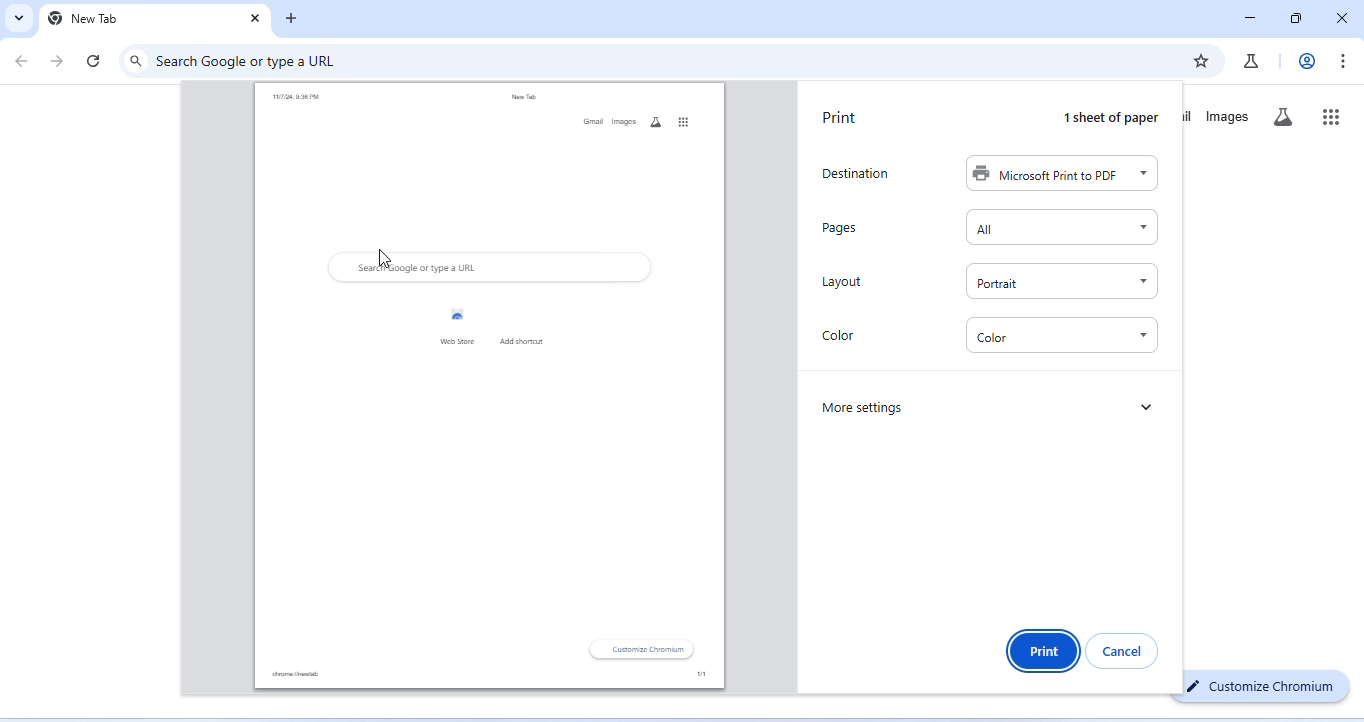 The height and width of the screenshot is (722, 1364). Describe the element at coordinates (417, 268) in the screenshot. I see `Search Google or type a URL` at that location.